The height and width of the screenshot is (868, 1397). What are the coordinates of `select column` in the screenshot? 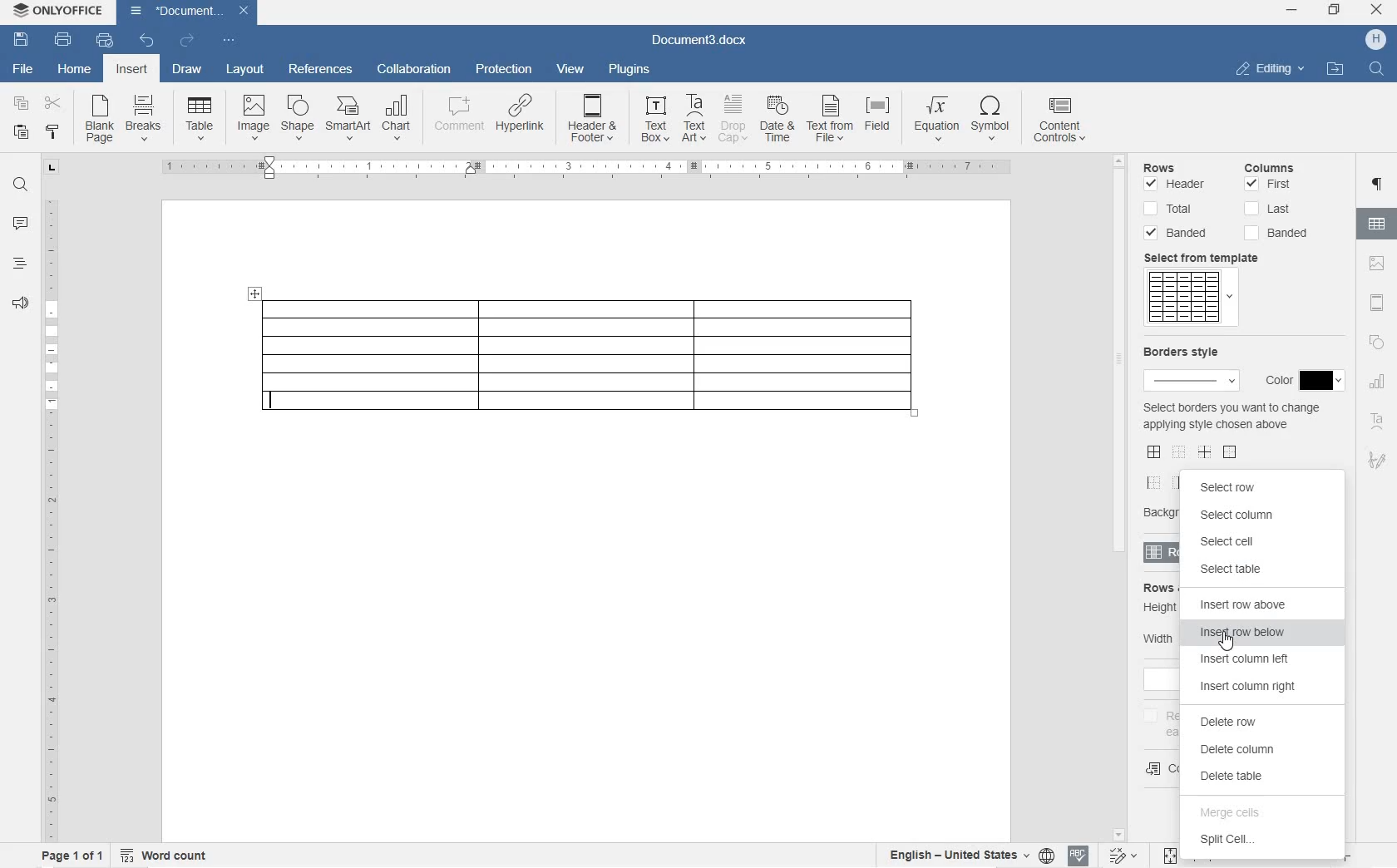 It's located at (1255, 518).